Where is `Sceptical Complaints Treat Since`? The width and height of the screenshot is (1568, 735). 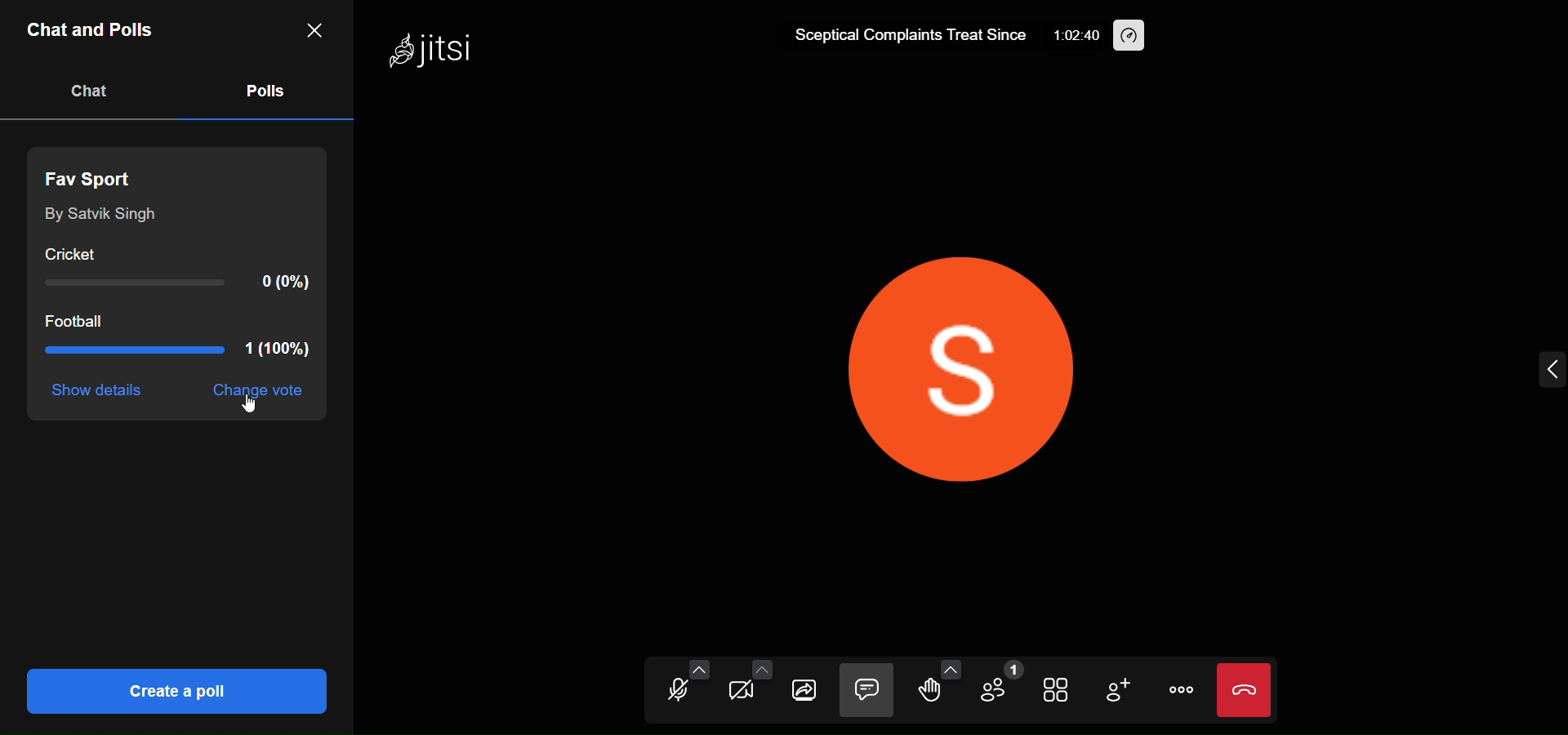
Sceptical Complaints Treat Since is located at coordinates (901, 33).